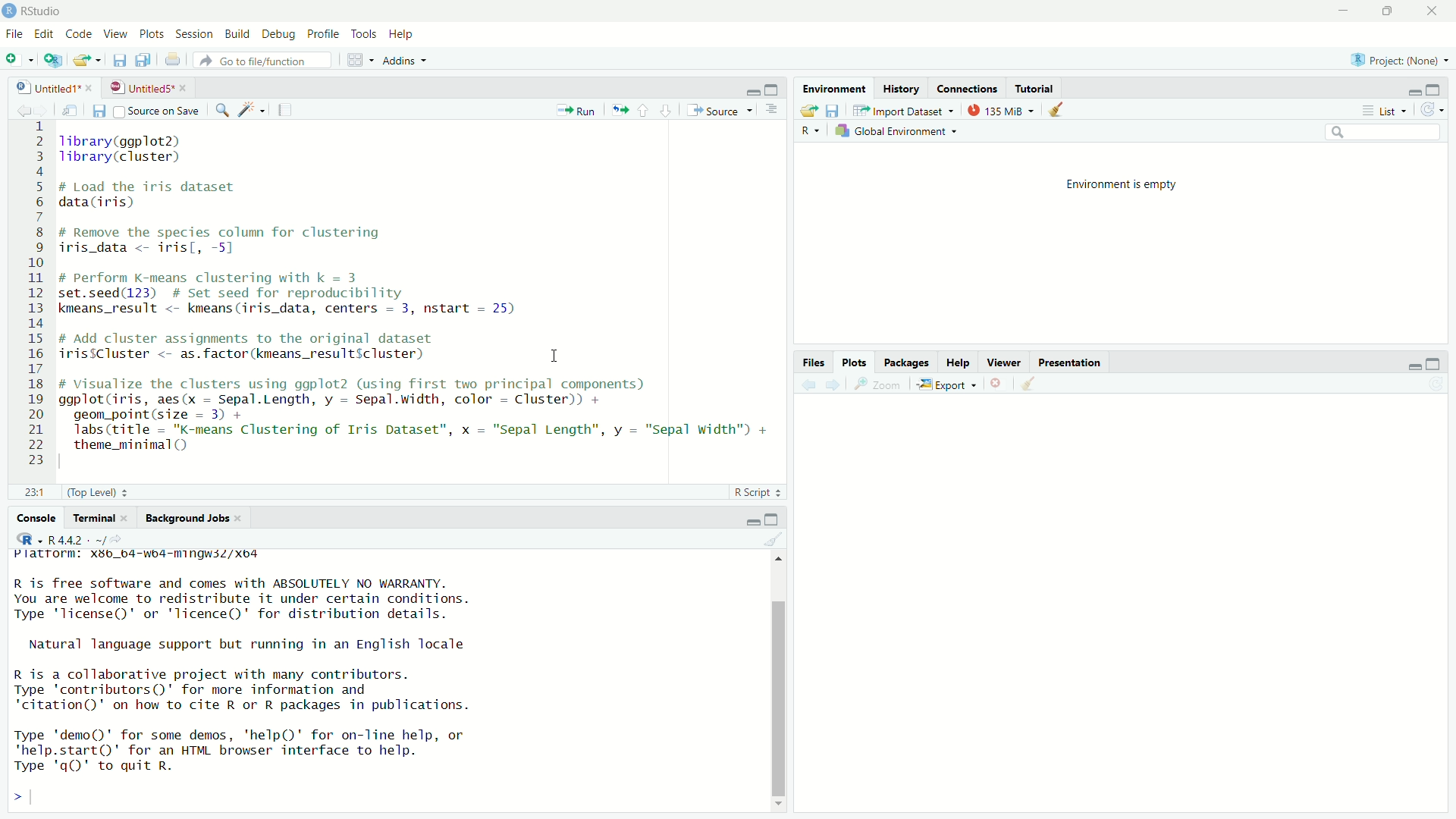 The width and height of the screenshot is (1456, 819). Describe the element at coordinates (967, 88) in the screenshot. I see `Connections` at that location.